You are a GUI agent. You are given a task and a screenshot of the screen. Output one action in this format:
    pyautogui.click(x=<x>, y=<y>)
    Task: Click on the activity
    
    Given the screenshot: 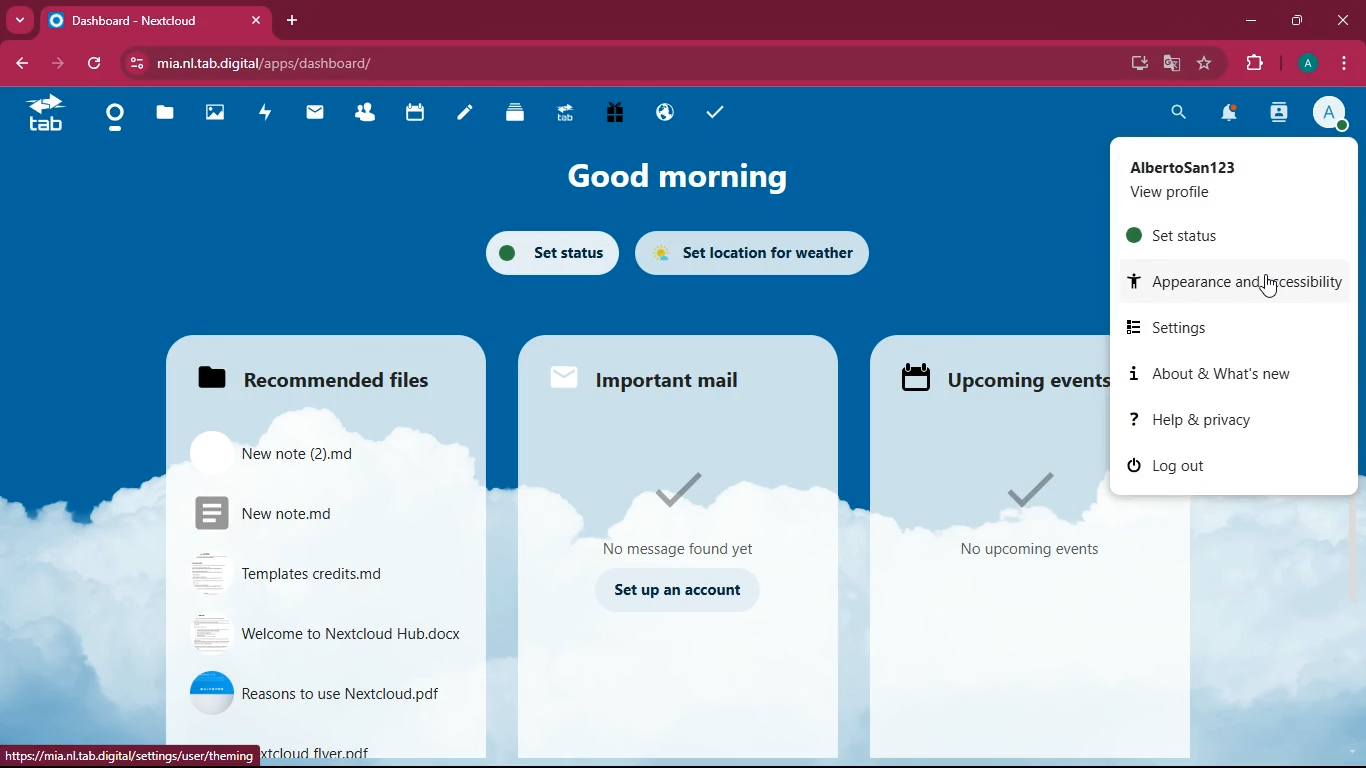 What is the action you would take?
    pyautogui.click(x=1278, y=114)
    